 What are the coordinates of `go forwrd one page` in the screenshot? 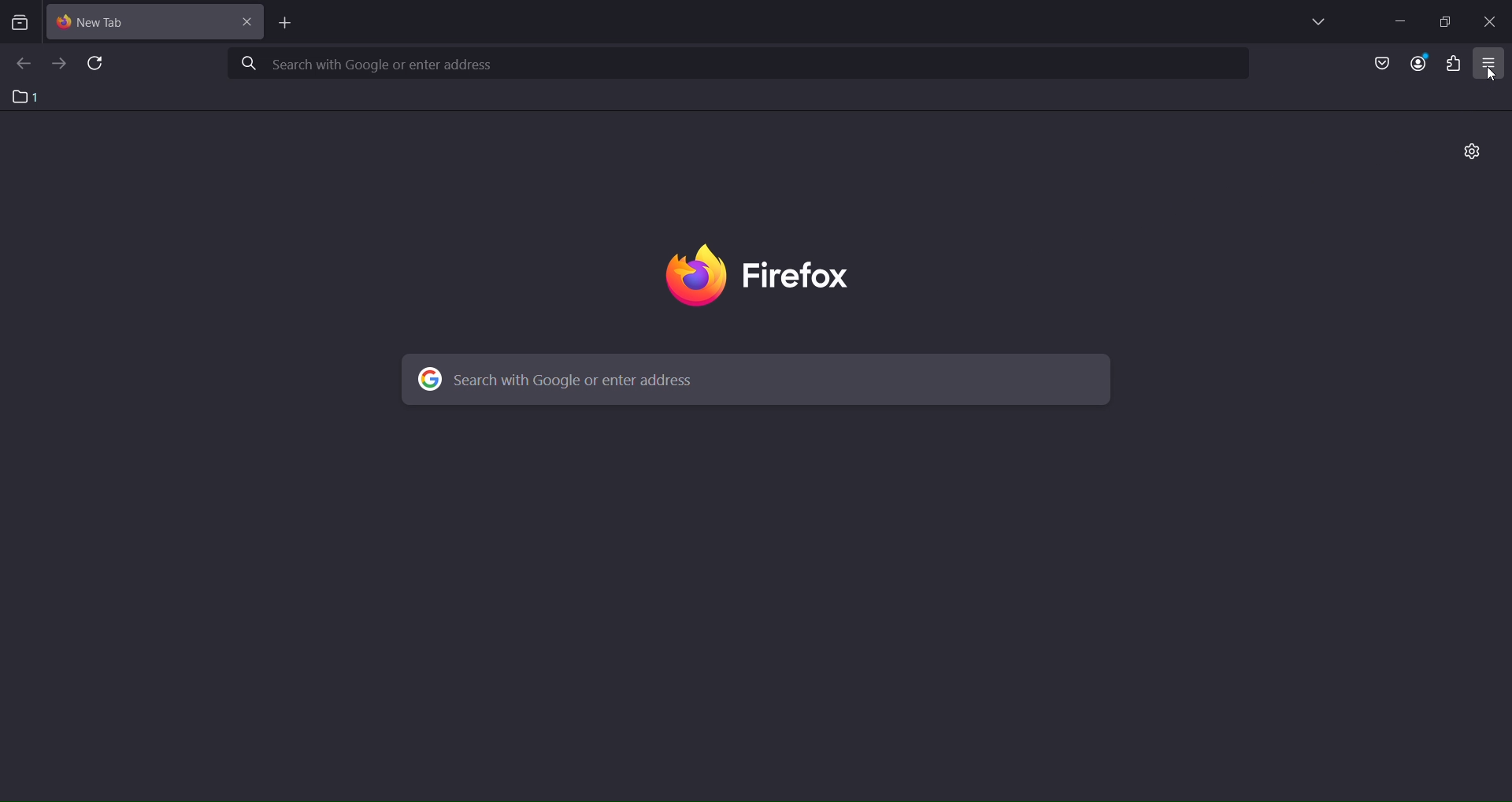 It's located at (58, 62).